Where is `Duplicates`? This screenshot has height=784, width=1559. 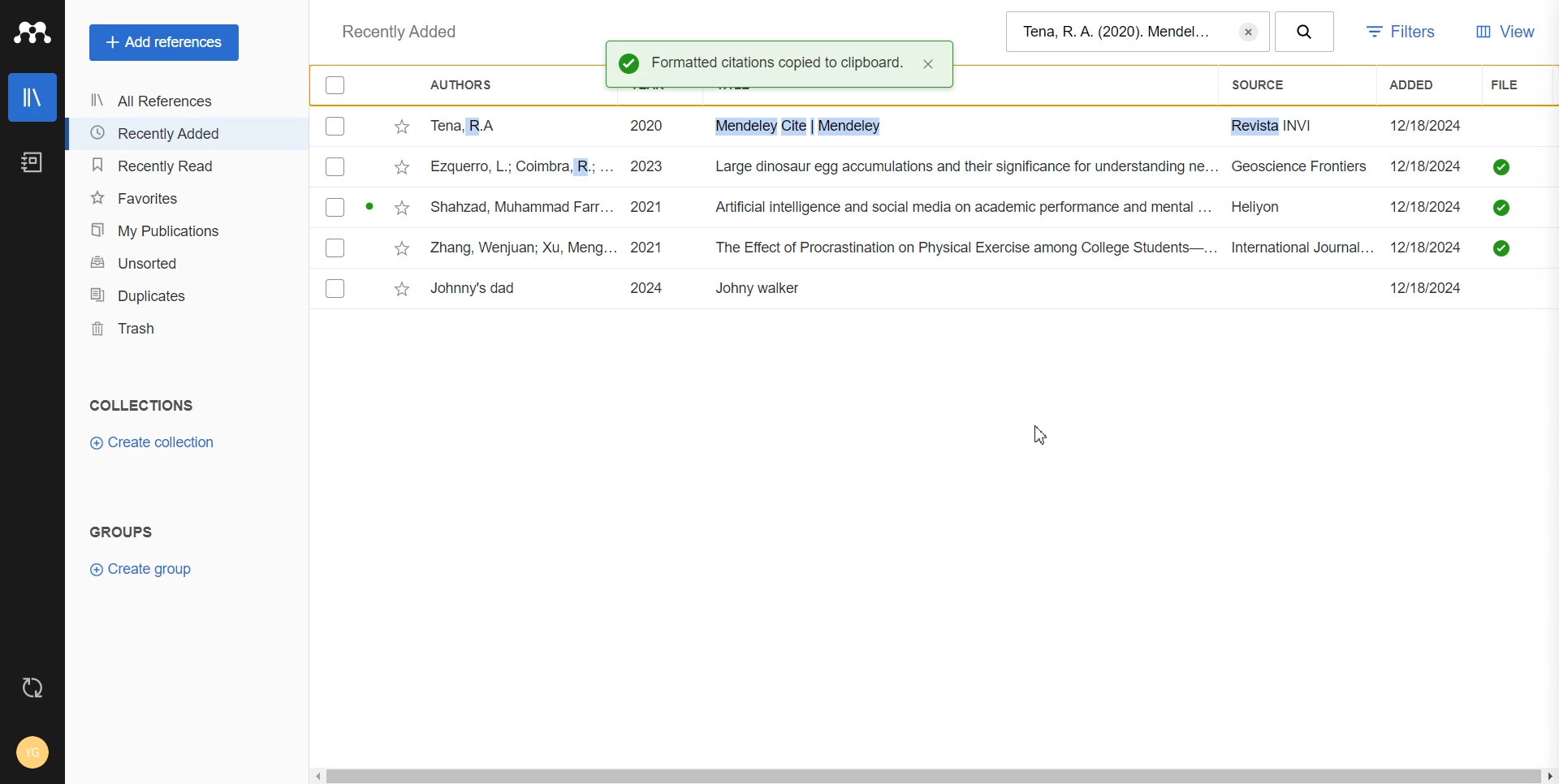 Duplicates is located at coordinates (188, 295).